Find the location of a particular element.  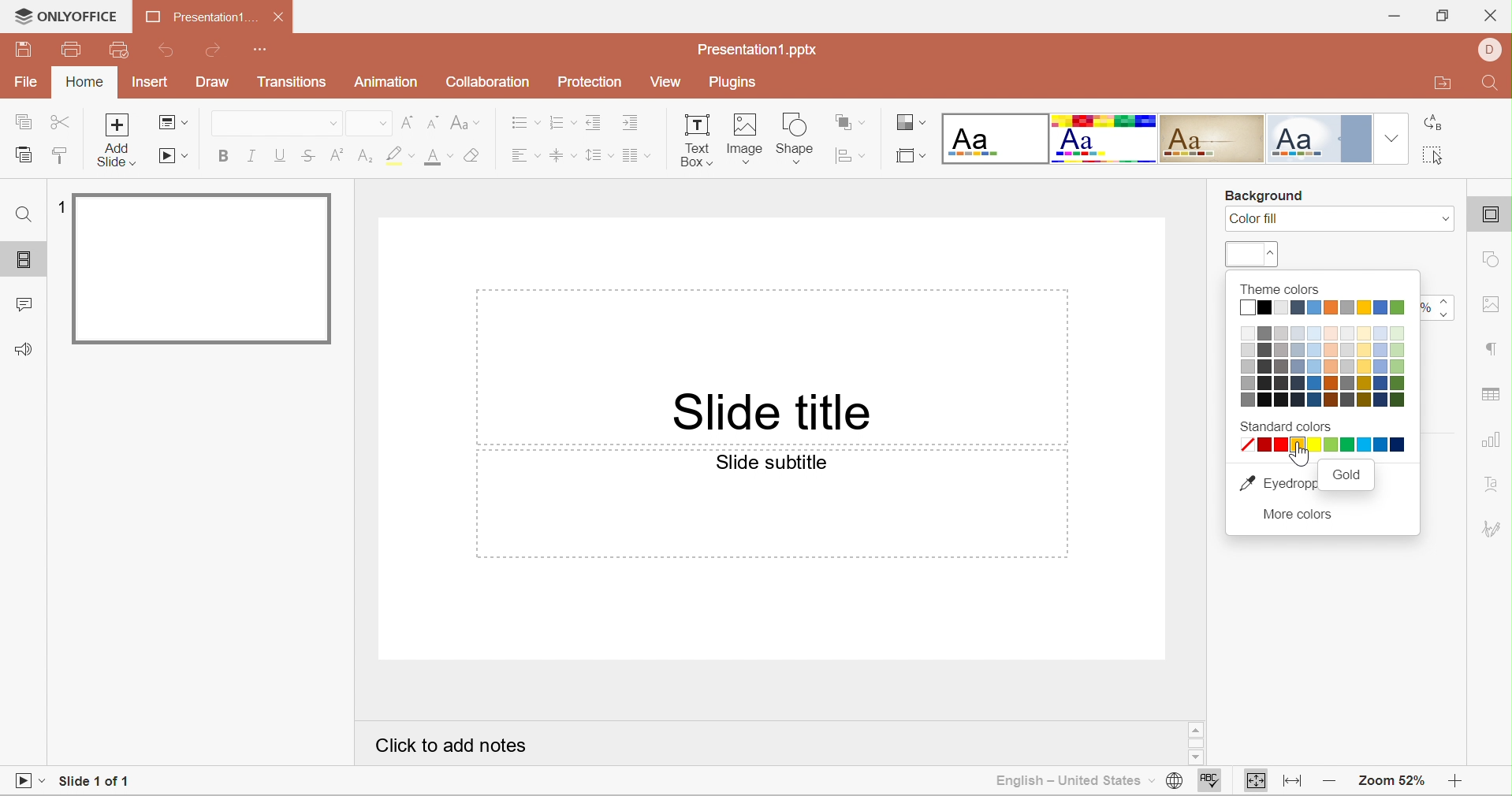

Eyedropper is located at coordinates (1276, 485).